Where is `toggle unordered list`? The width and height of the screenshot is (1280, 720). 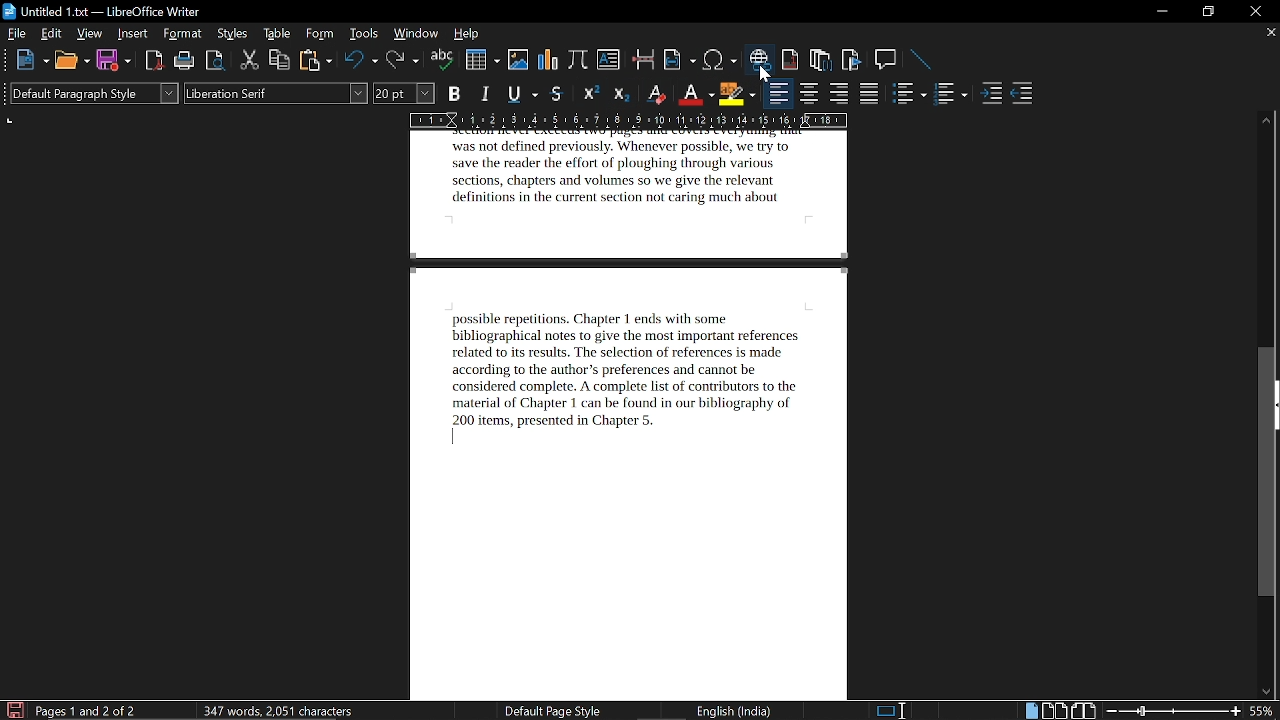 toggle unordered list is located at coordinates (952, 95).